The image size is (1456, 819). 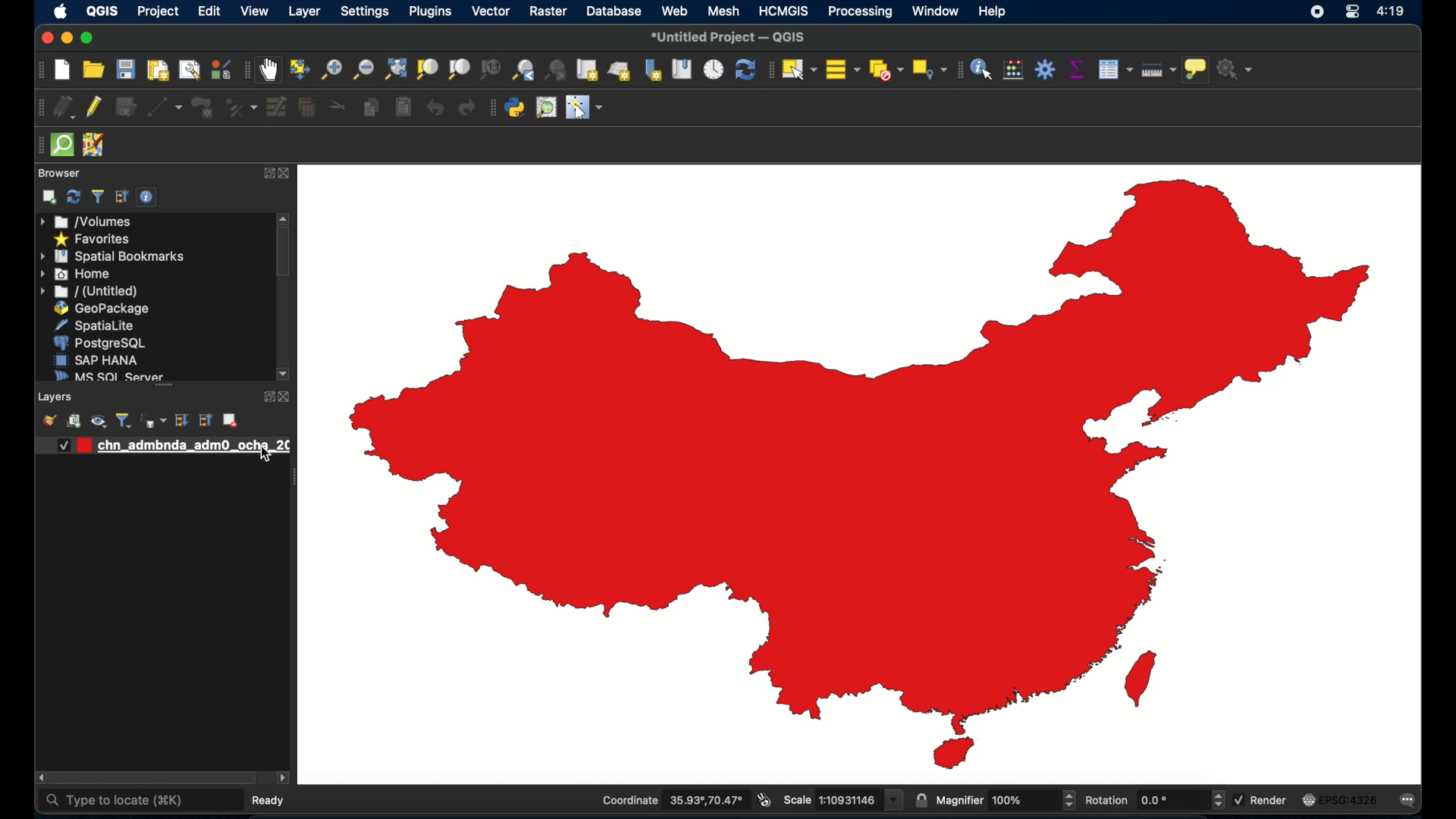 What do you see at coordinates (204, 108) in the screenshot?
I see `add polygon feature` at bounding box center [204, 108].